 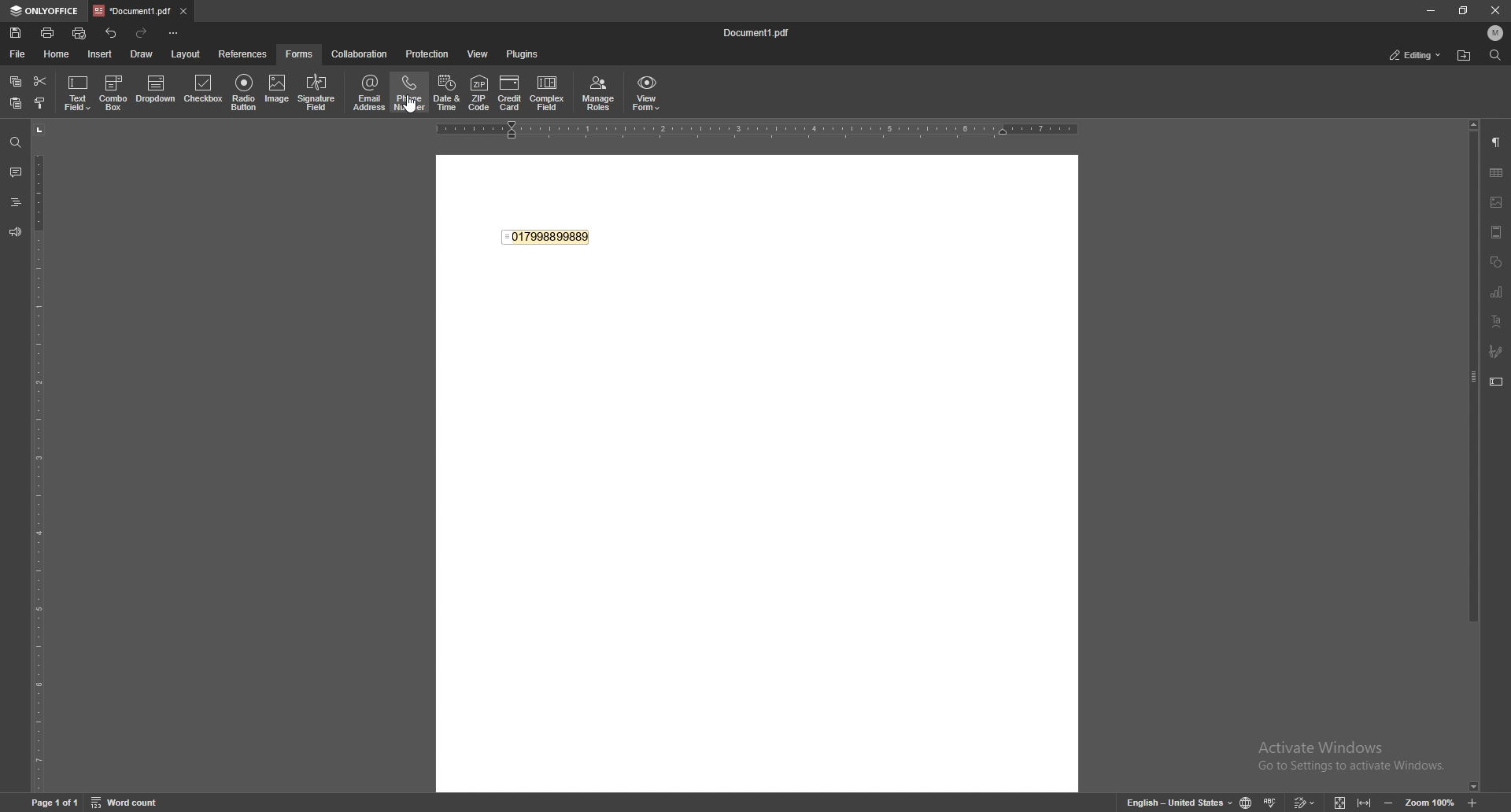 What do you see at coordinates (78, 94) in the screenshot?
I see `text field` at bounding box center [78, 94].